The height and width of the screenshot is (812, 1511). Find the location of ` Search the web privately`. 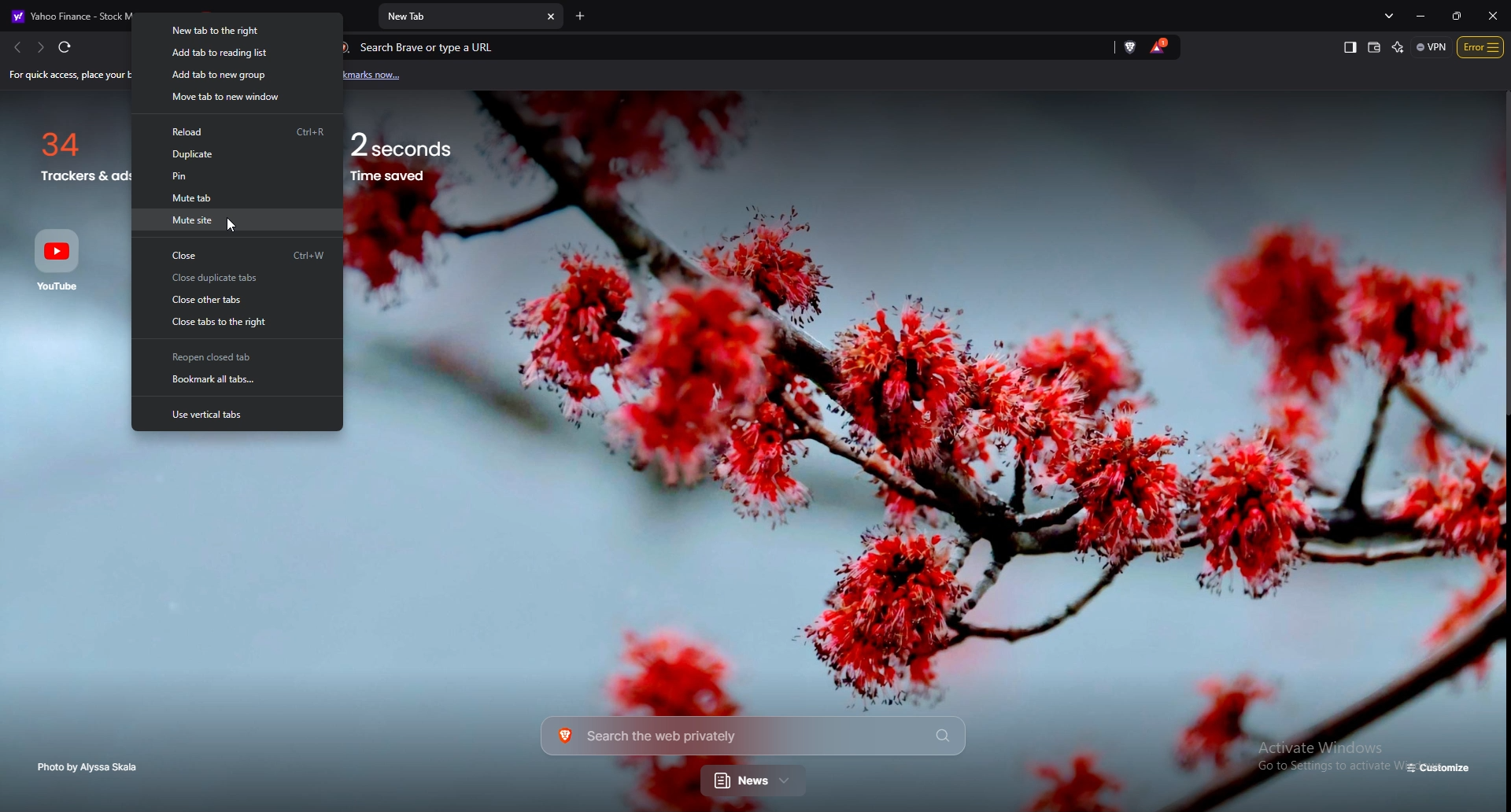

 Search the web privately is located at coordinates (752, 735).